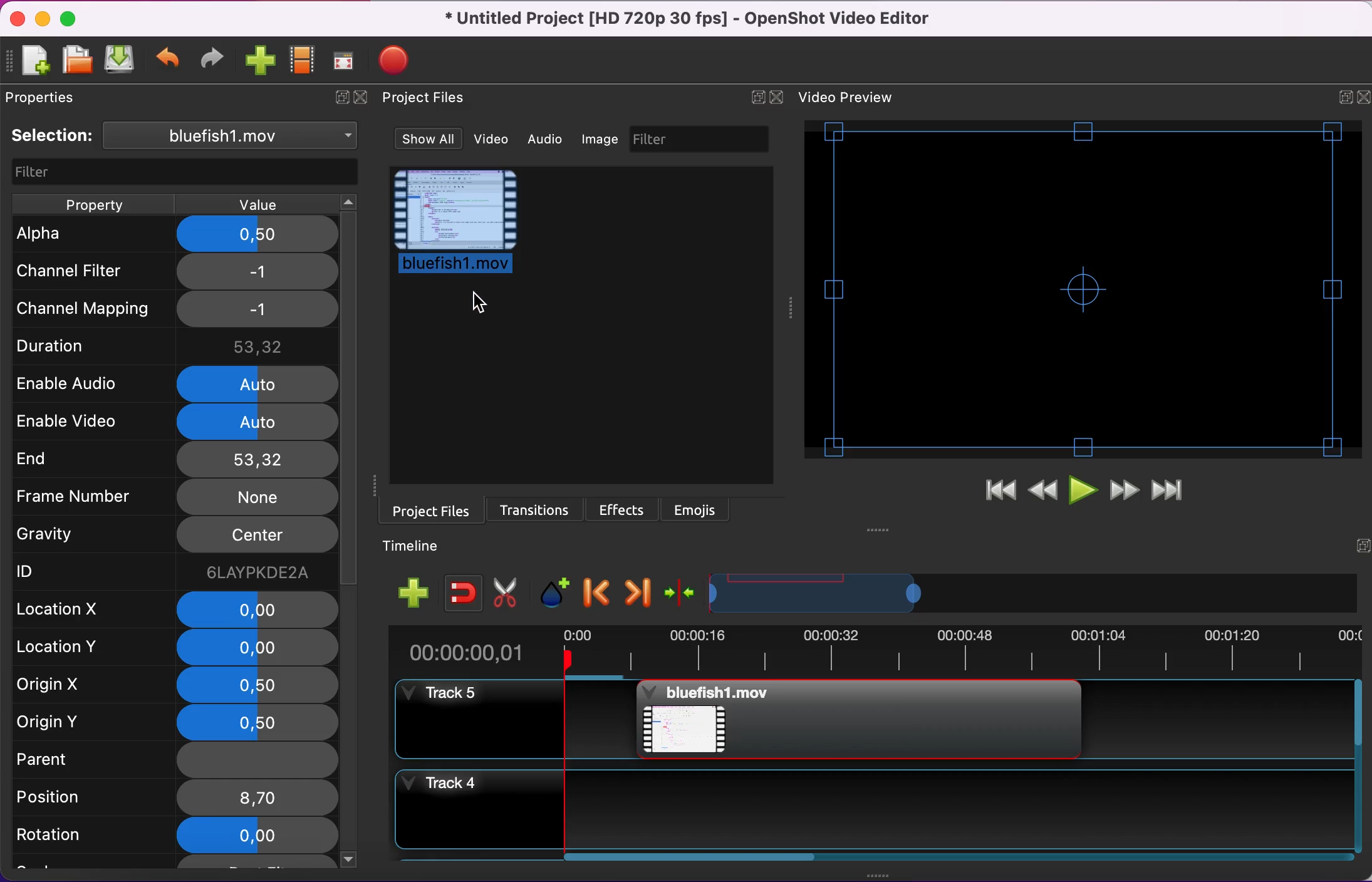  Describe the element at coordinates (70, 758) in the screenshot. I see `parent` at that location.